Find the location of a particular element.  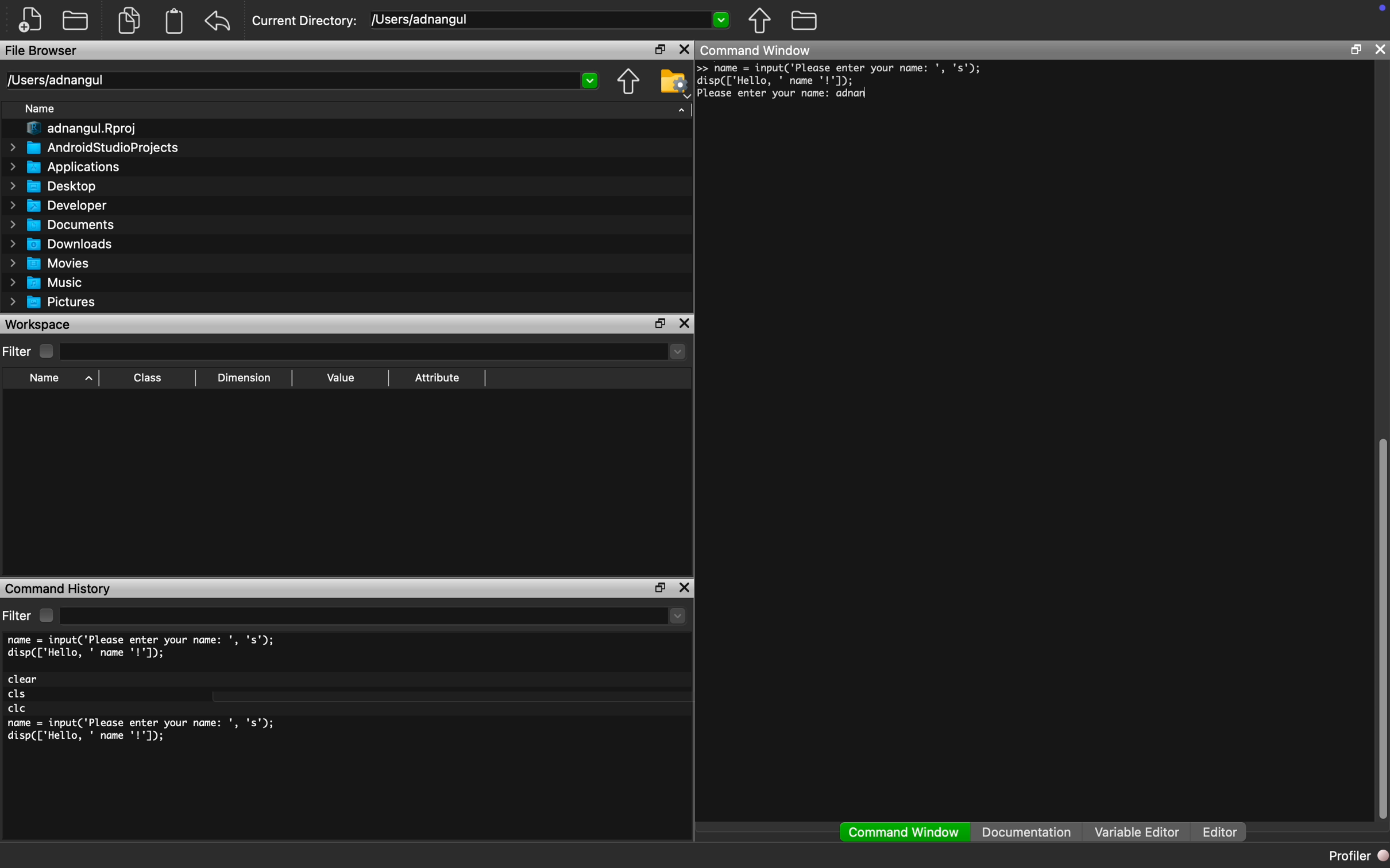

duplicate is located at coordinates (130, 20).